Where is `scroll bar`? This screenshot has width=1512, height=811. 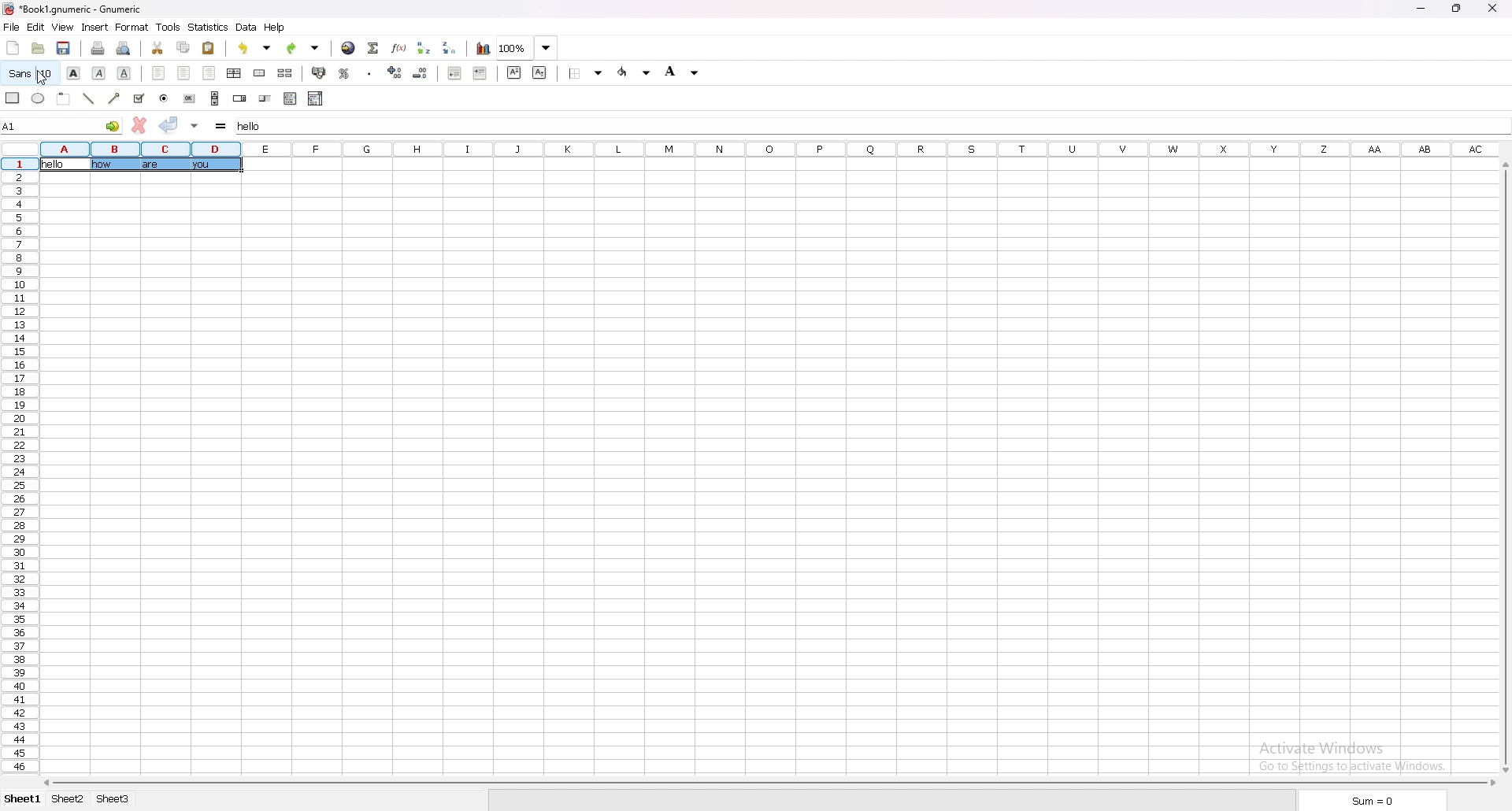 scroll bar is located at coordinates (767, 783).